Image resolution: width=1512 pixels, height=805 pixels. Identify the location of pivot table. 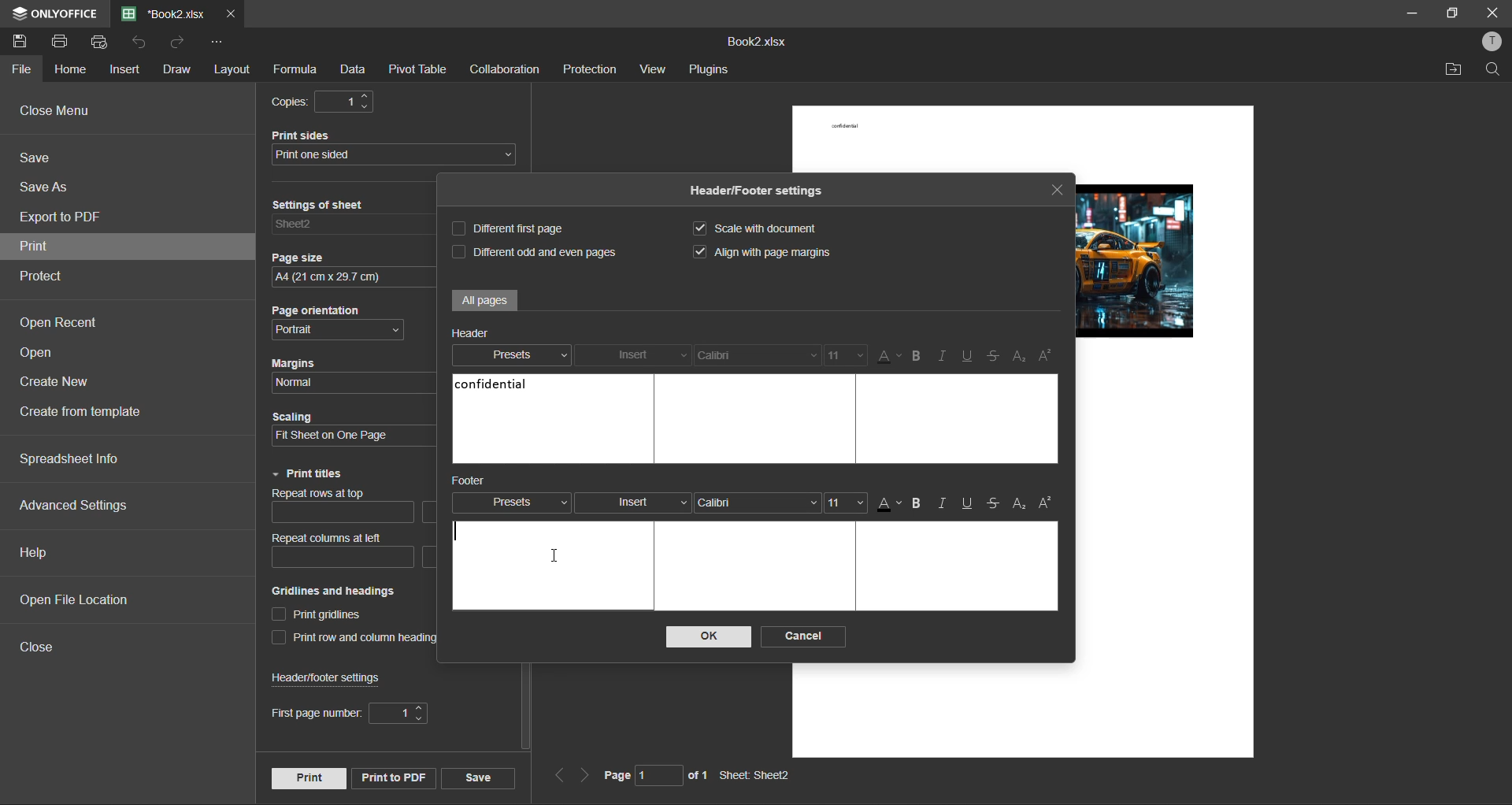
(417, 70).